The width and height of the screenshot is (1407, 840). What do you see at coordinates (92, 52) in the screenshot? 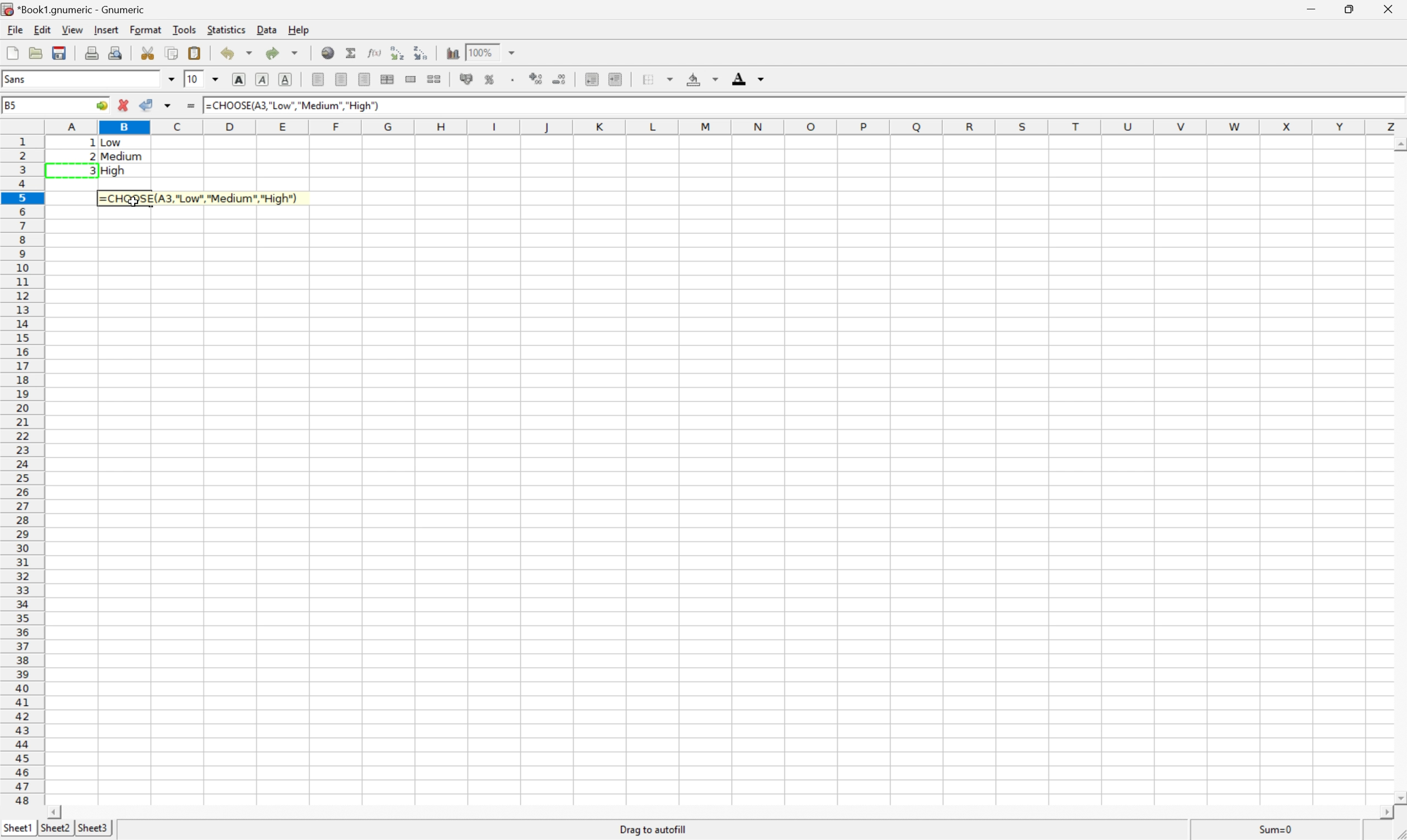
I see `Print current file` at bounding box center [92, 52].